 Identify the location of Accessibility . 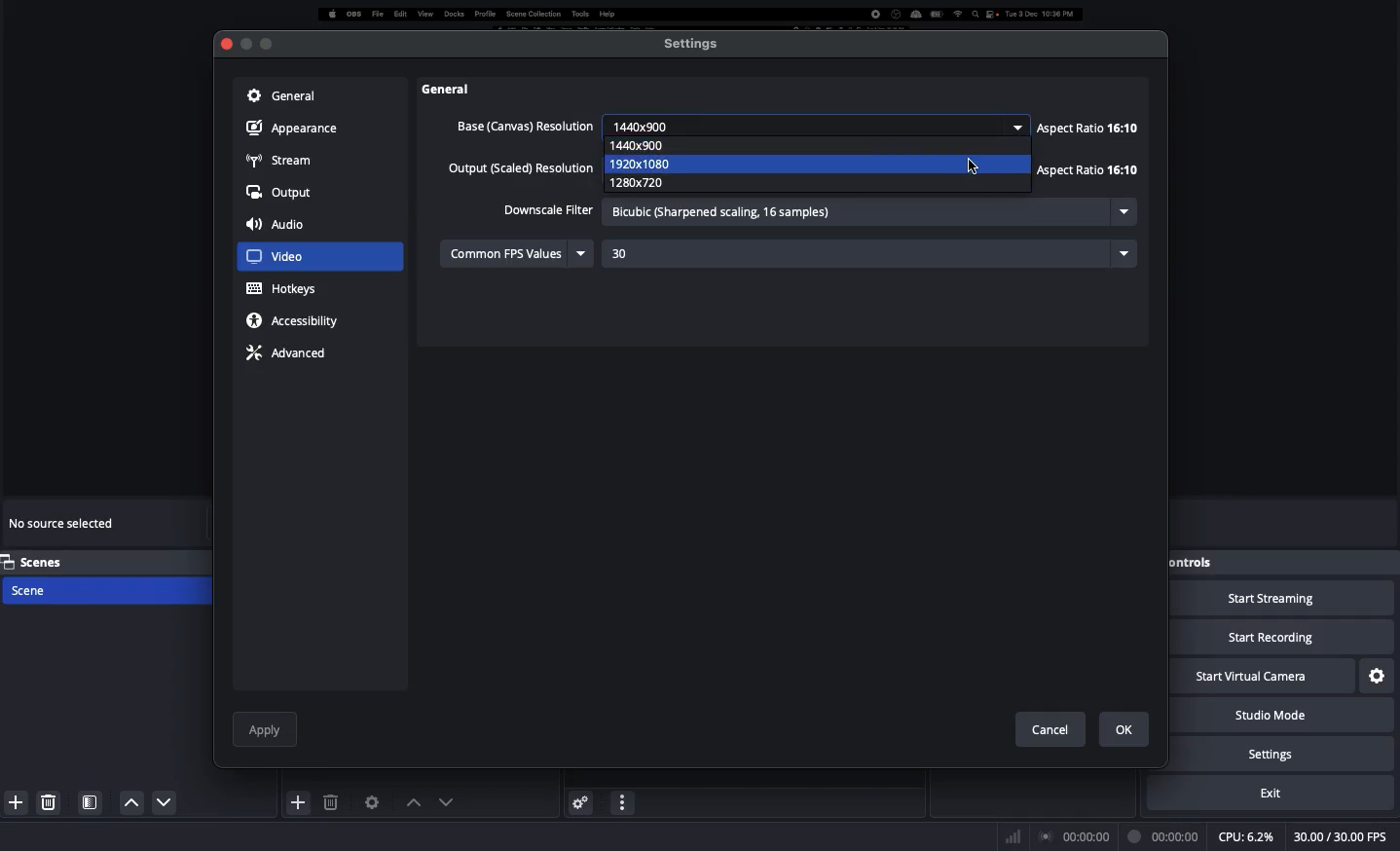
(298, 320).